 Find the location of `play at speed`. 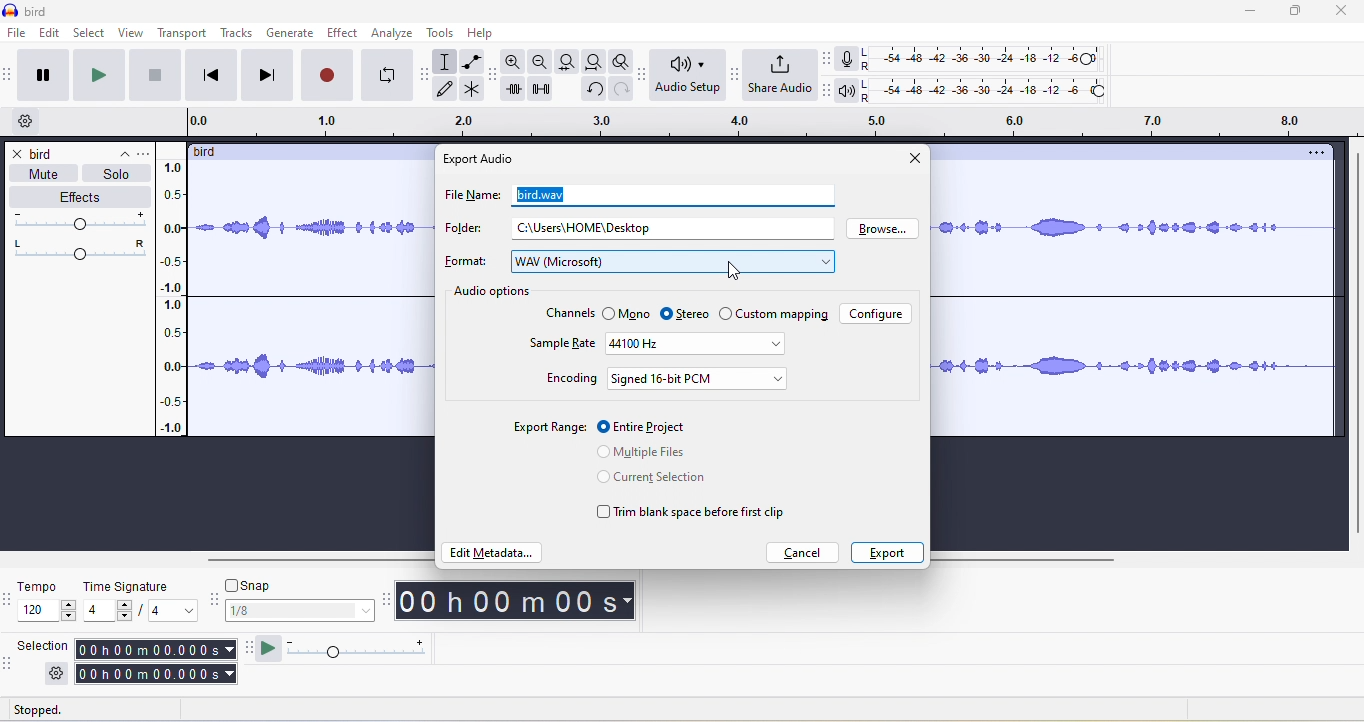

play at speed is located at coordinates (359, 650).